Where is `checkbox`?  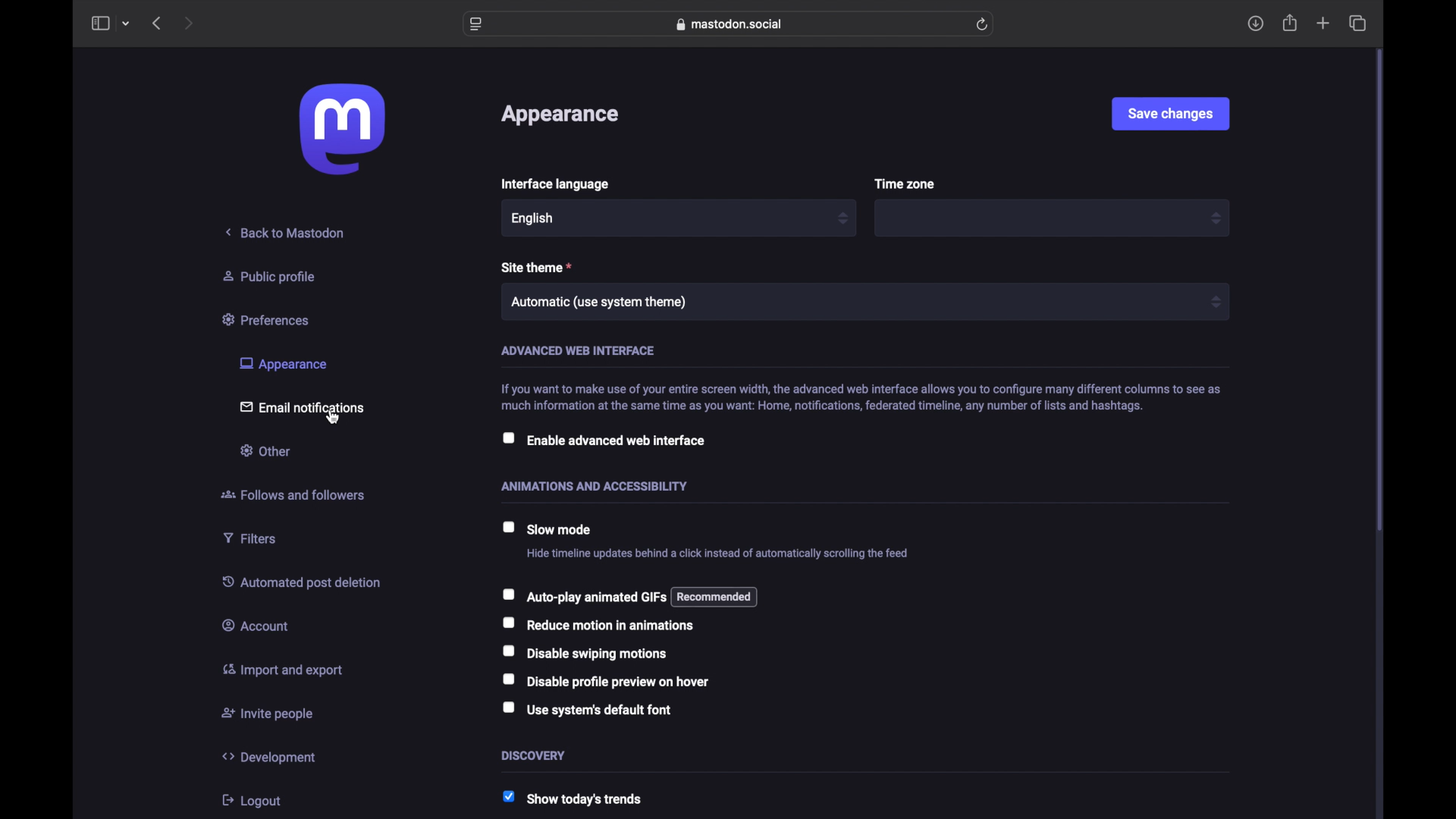
checkbox is located at coordinates (573, 799).